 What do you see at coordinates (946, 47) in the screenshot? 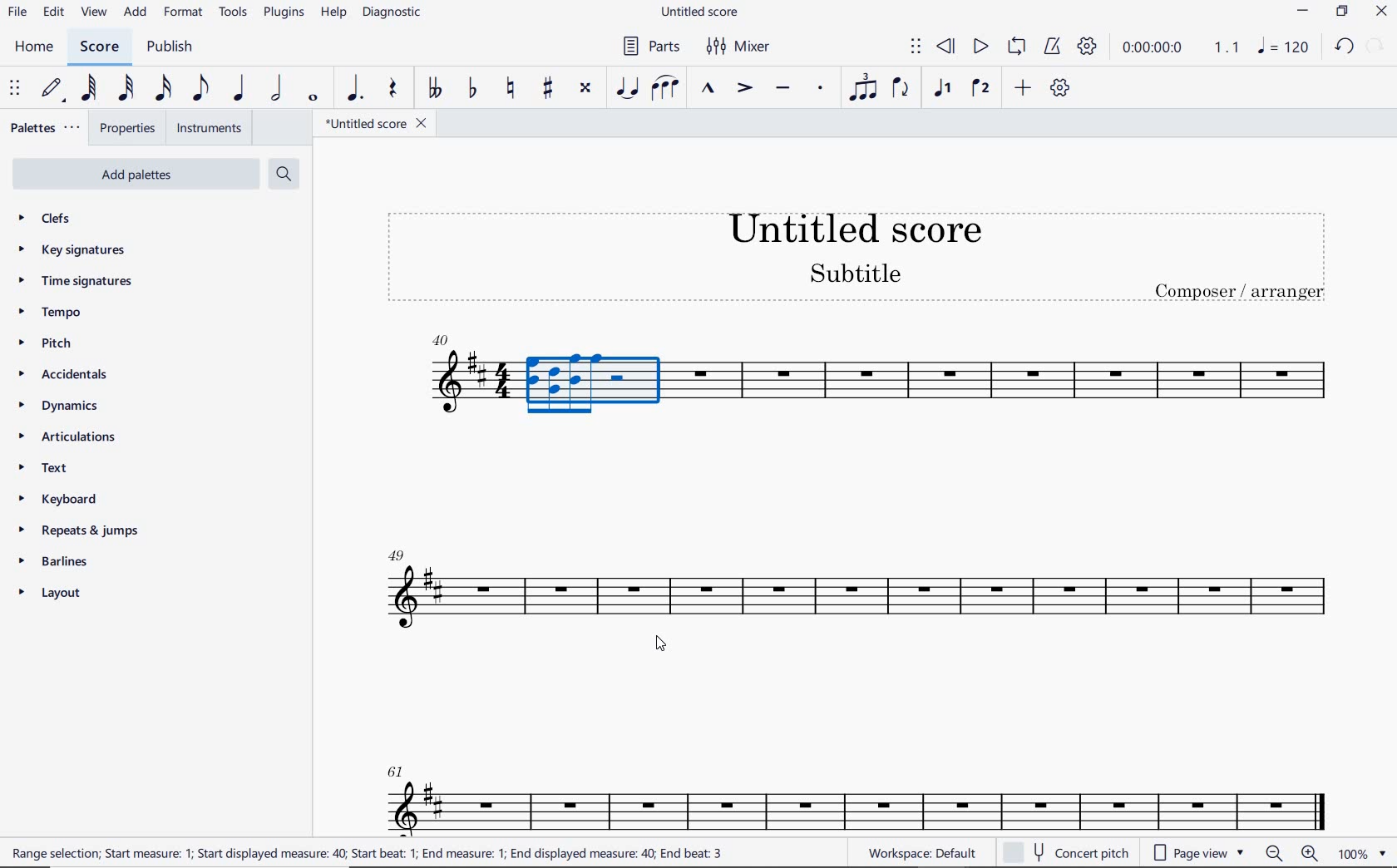
I see `REWIND` at bounding box center [946, 47].